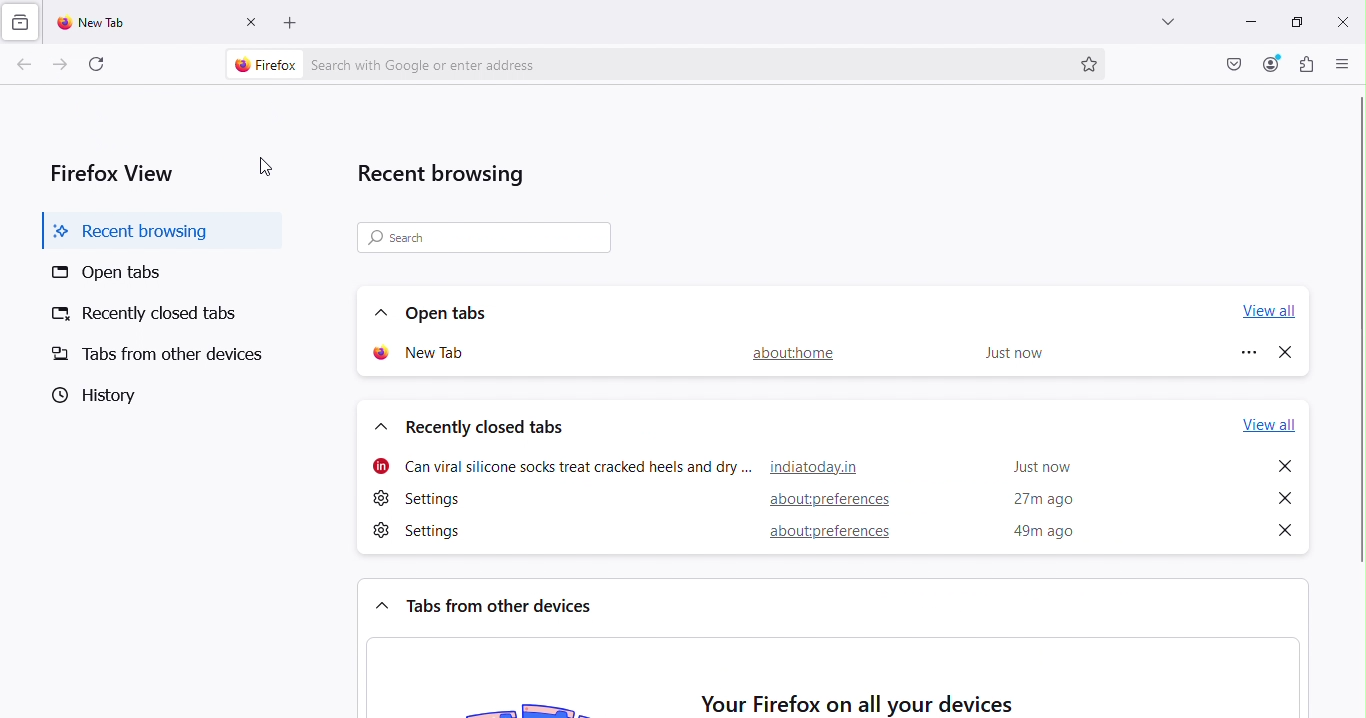 The width and height of the screenshot is (1366, 718). Describe the element at coordinates (261, 65) in the screenshot. I see `firefox logo` at that location.